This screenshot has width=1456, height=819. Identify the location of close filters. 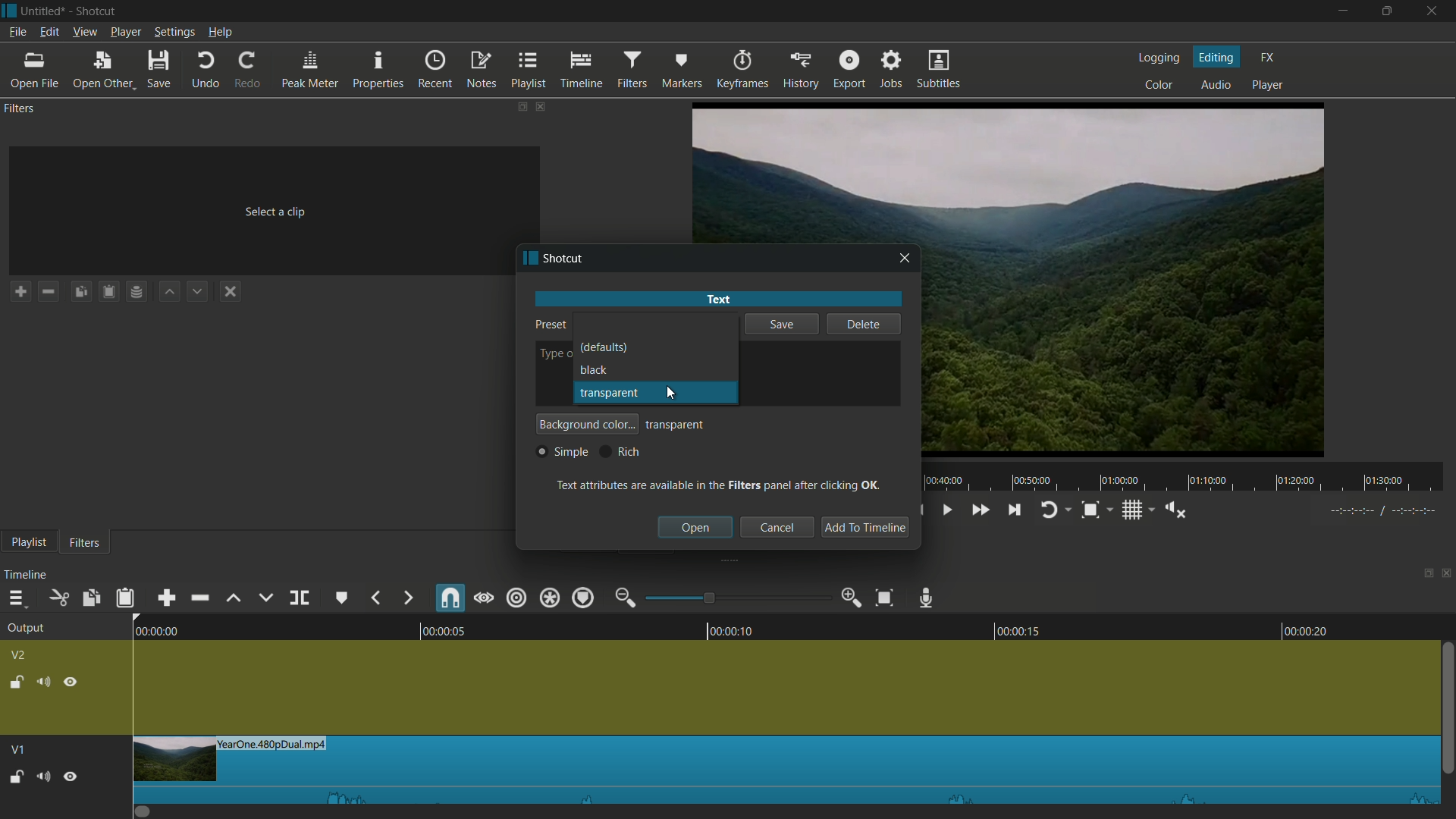
(543, 106).